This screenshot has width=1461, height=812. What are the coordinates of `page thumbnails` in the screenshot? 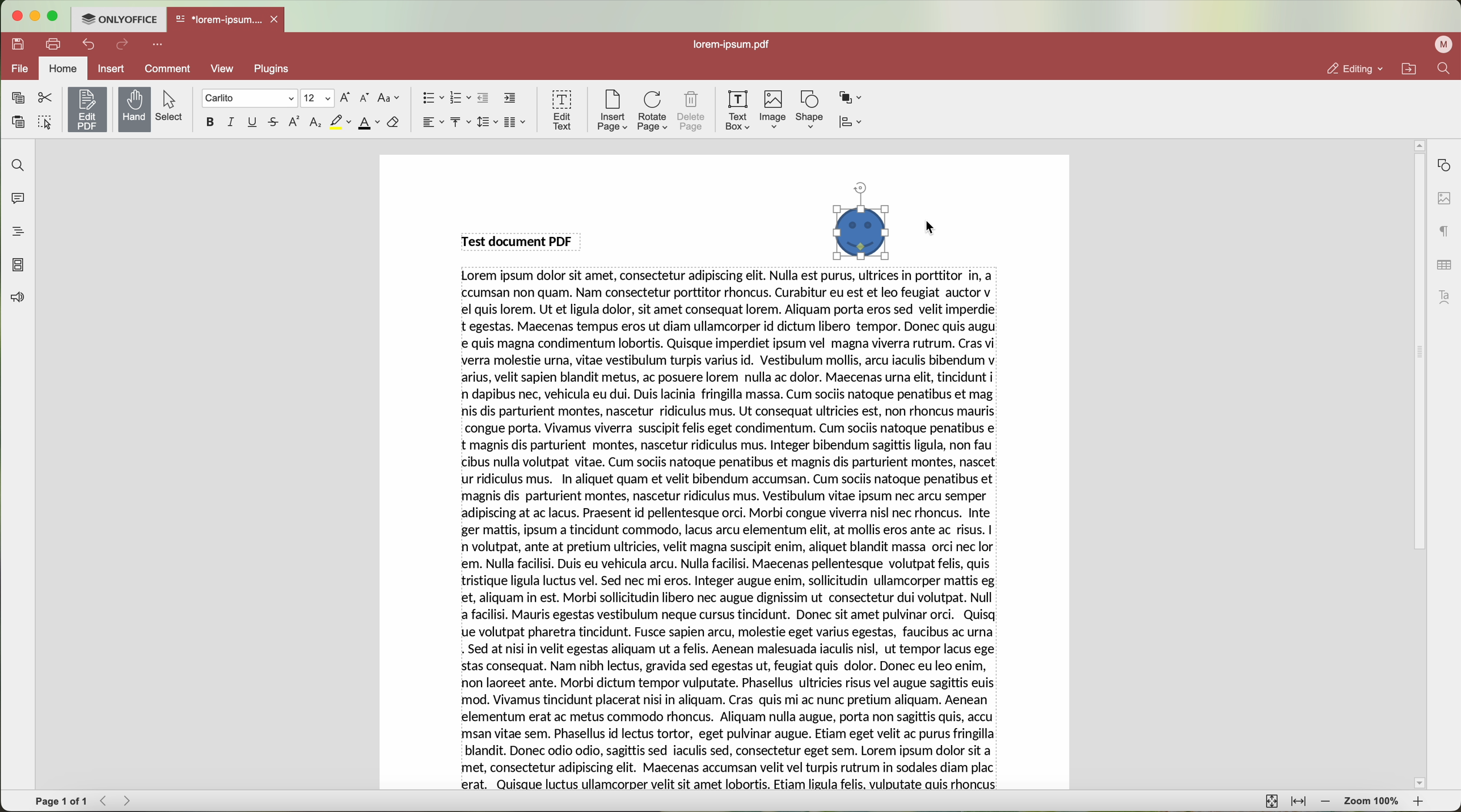 It's located at (18, 266).